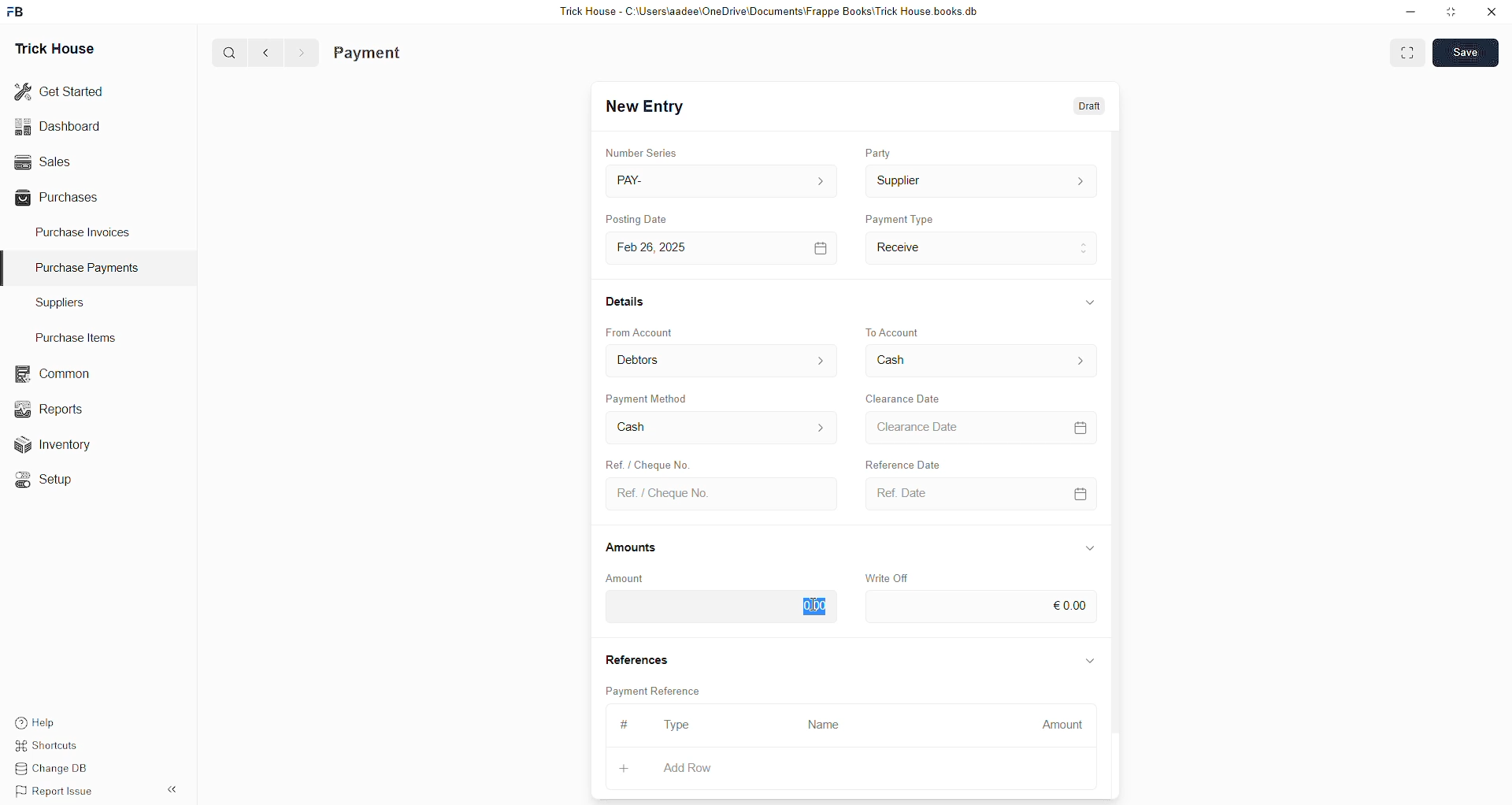 The width and height of the screenshot is (1512, 805). Describe the element at coordinates (645, 108) in the screenshot. I see `New Entry` at that location.